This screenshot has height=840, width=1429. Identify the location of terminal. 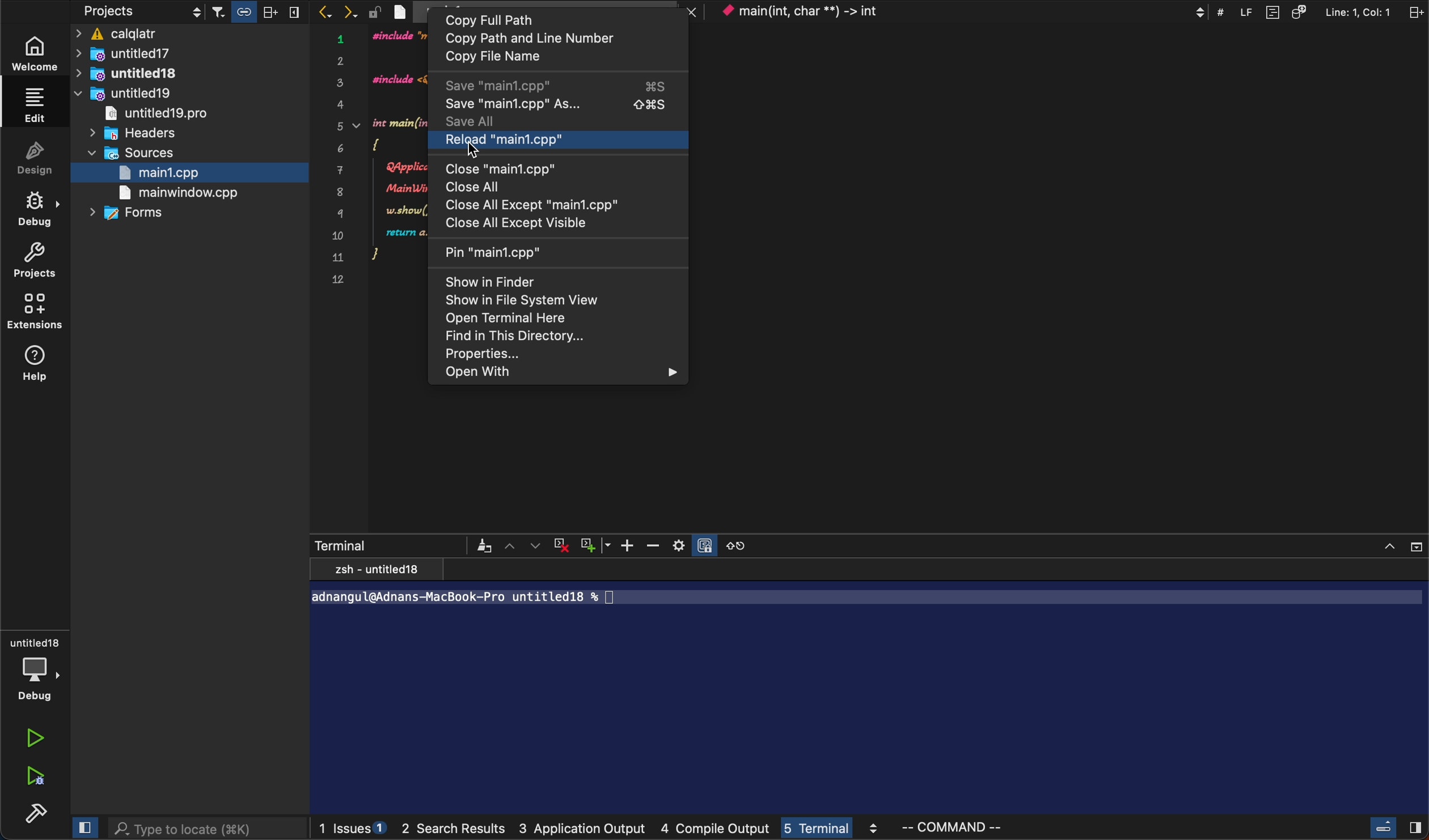
(869, 687).